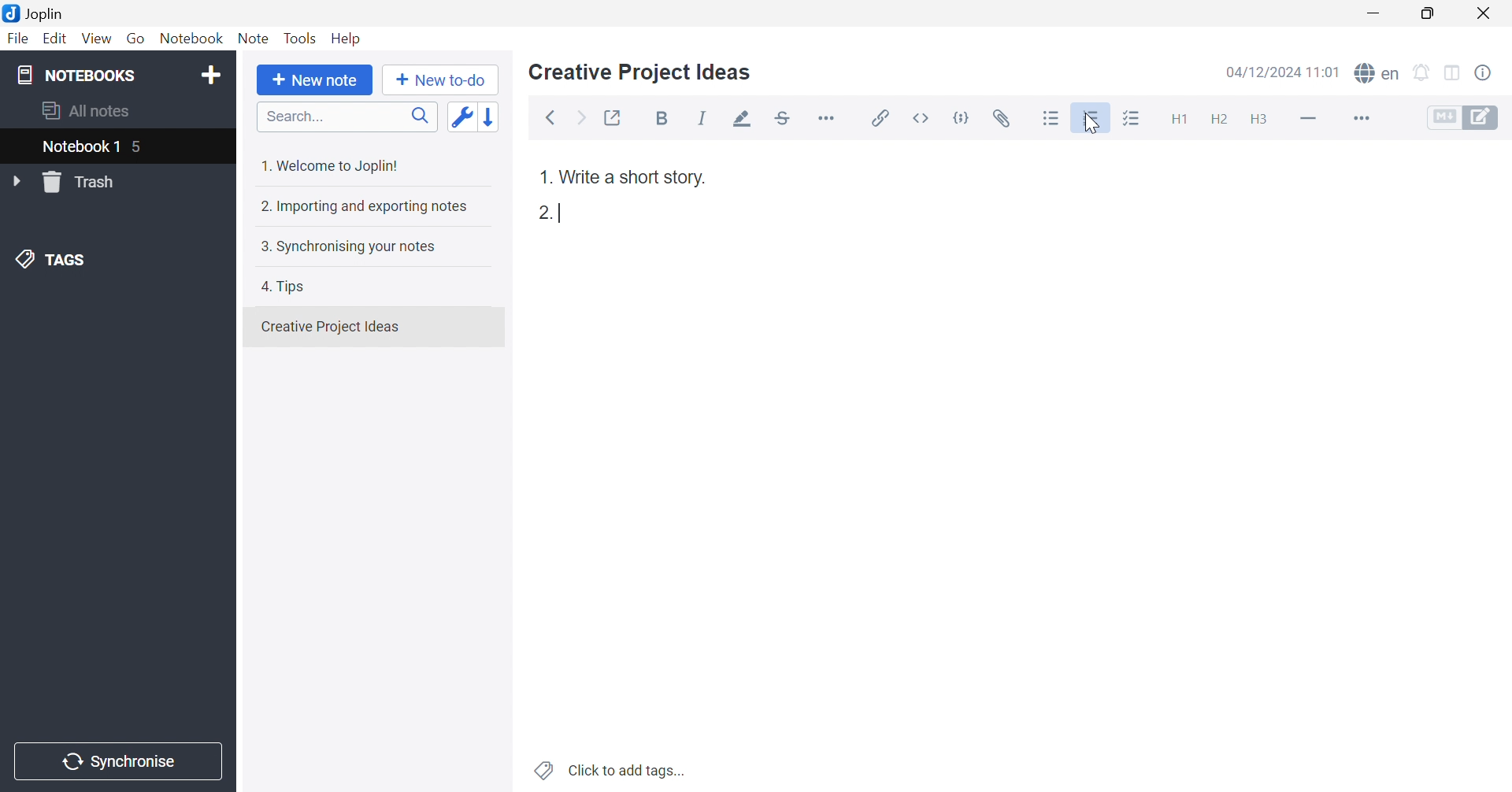 The width and height of the screenshot is (1512, 792). Describe the element at coordinates (1308, 119) in the screenshot. I see `Horizontal line` at that location.